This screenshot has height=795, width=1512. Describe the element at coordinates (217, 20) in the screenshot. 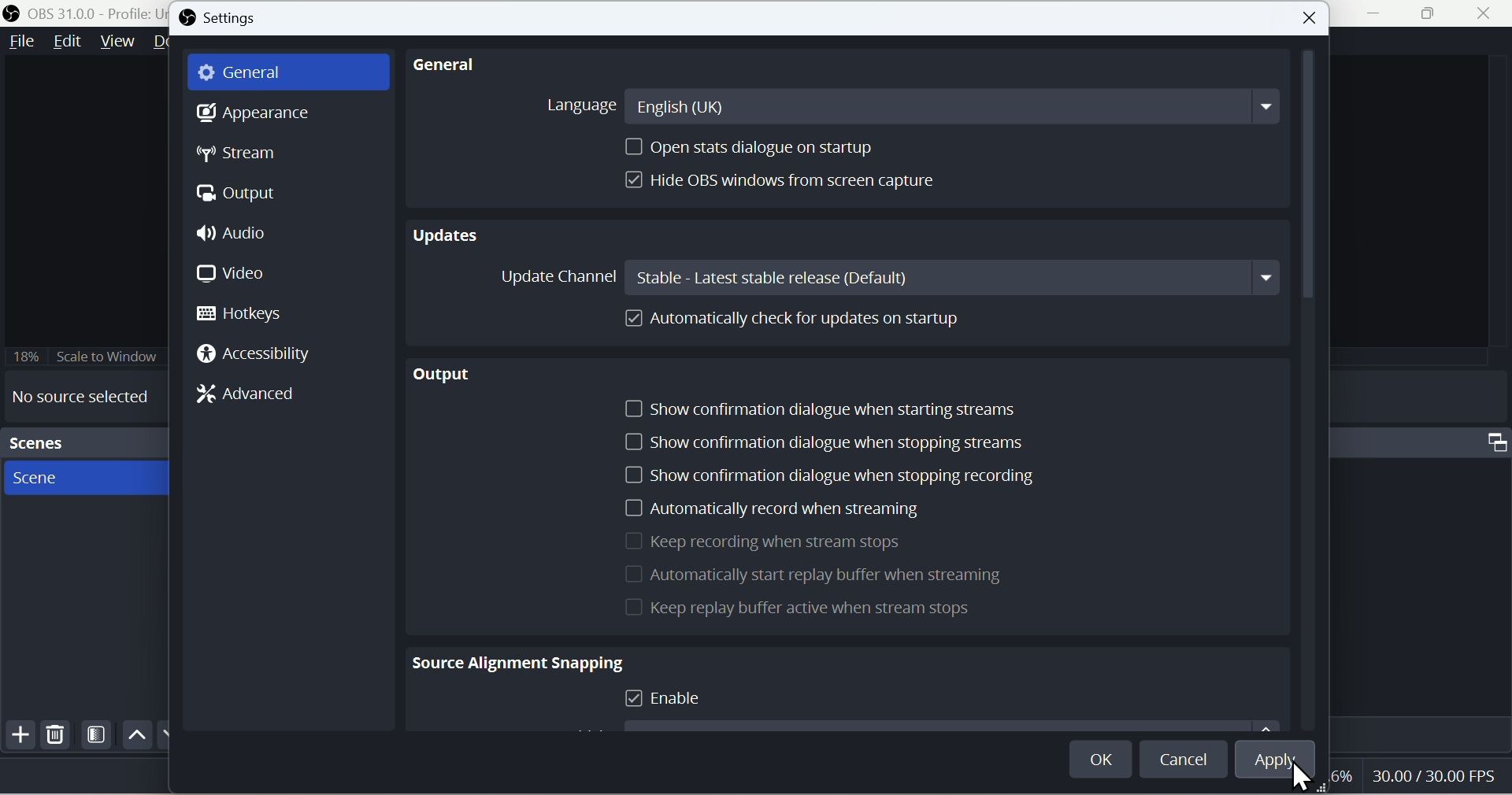

I see `Settings` at that location.